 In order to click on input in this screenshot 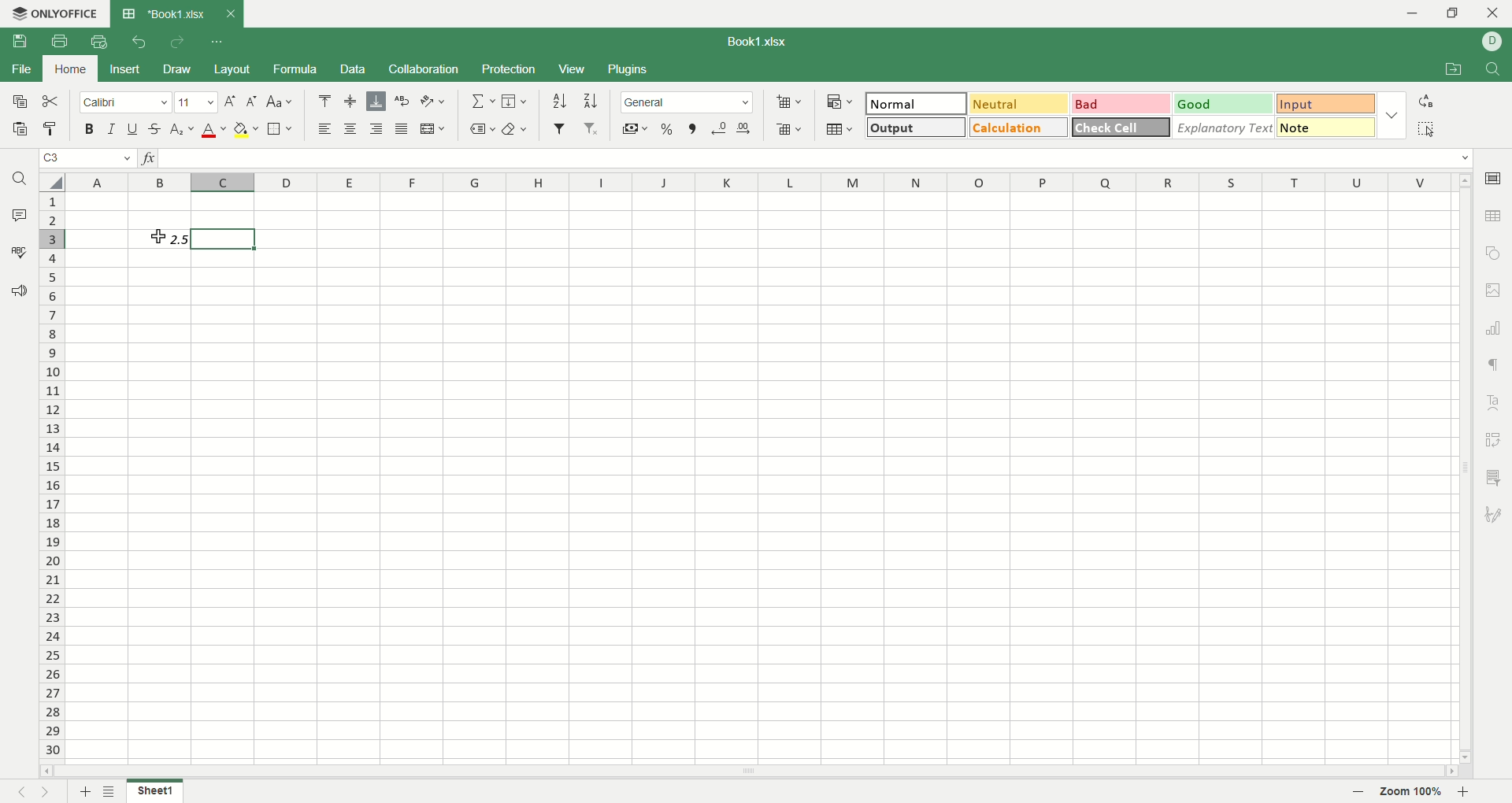, I will do `click(1327, 104)`.